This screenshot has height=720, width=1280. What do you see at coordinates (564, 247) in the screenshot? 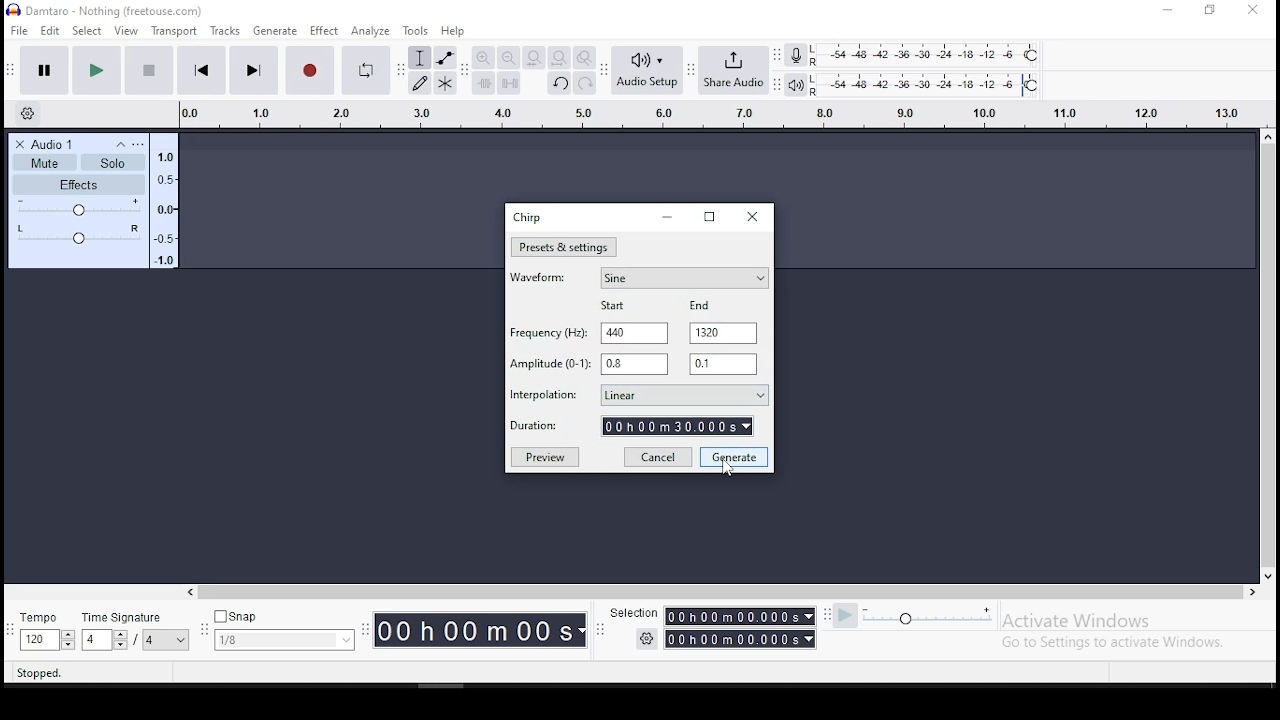
I see `presets and settings` at bounding box center [564, 247].